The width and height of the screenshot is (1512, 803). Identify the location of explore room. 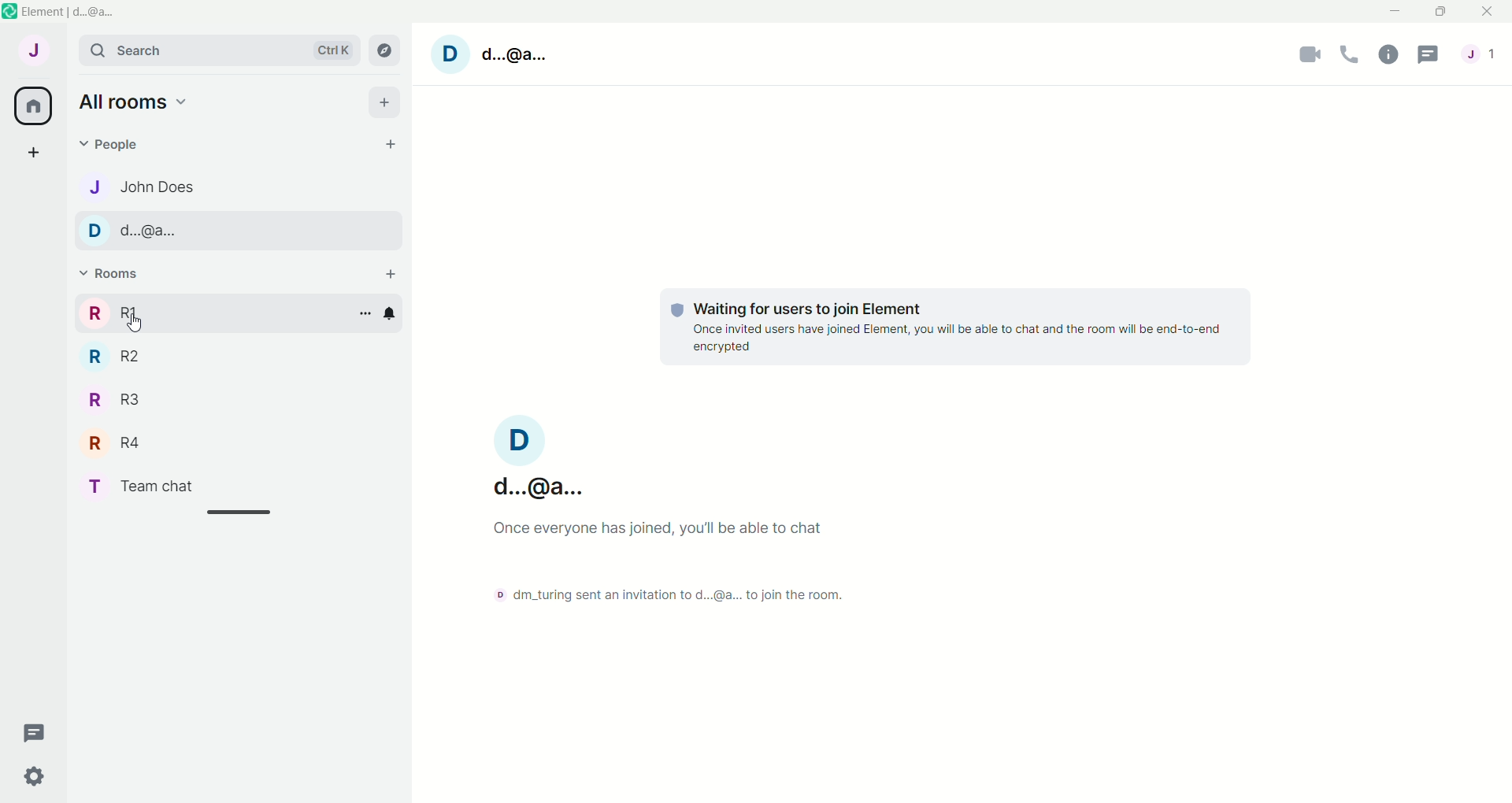
(386, 51).